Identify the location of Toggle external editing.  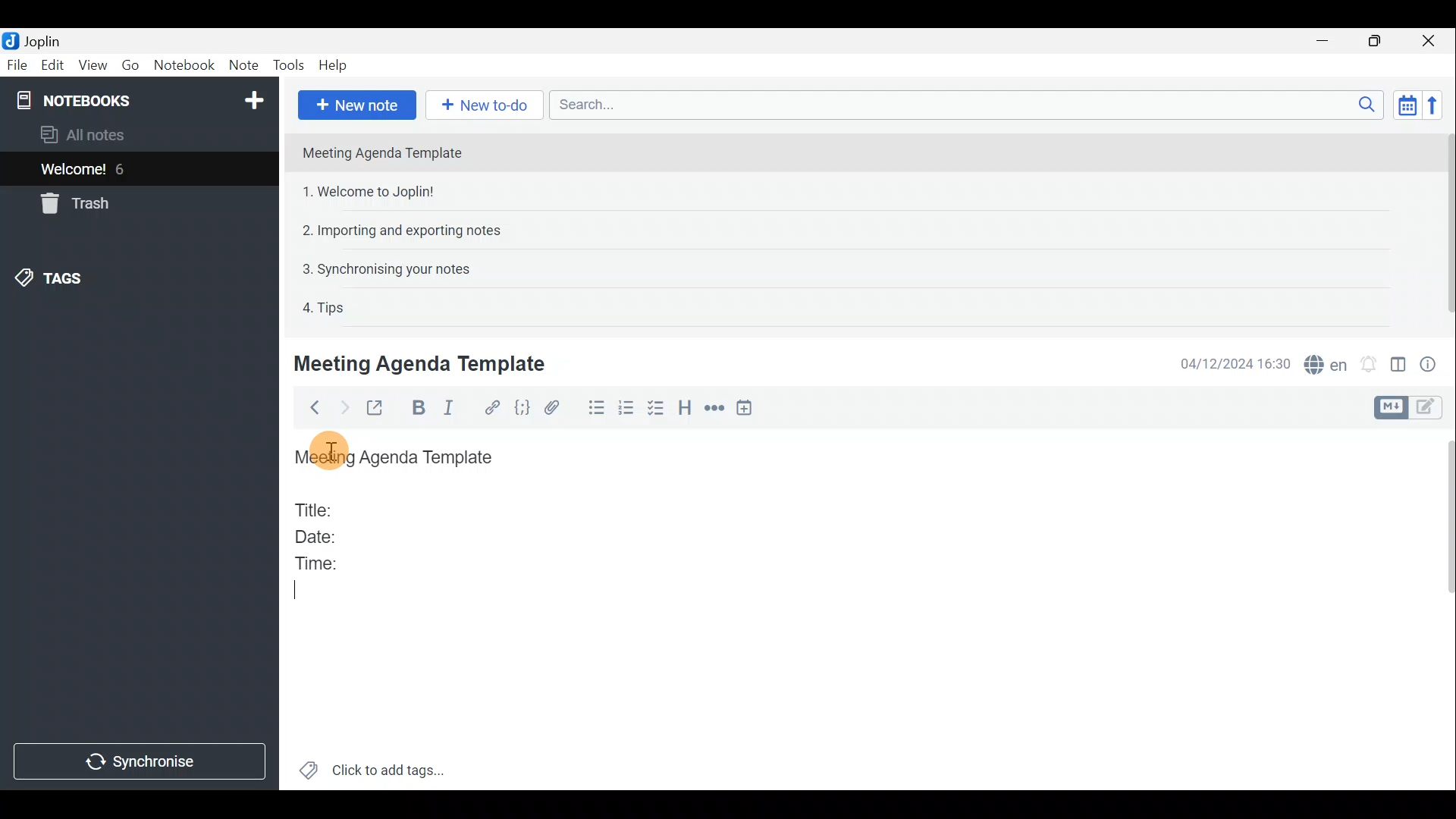
(379, 409).